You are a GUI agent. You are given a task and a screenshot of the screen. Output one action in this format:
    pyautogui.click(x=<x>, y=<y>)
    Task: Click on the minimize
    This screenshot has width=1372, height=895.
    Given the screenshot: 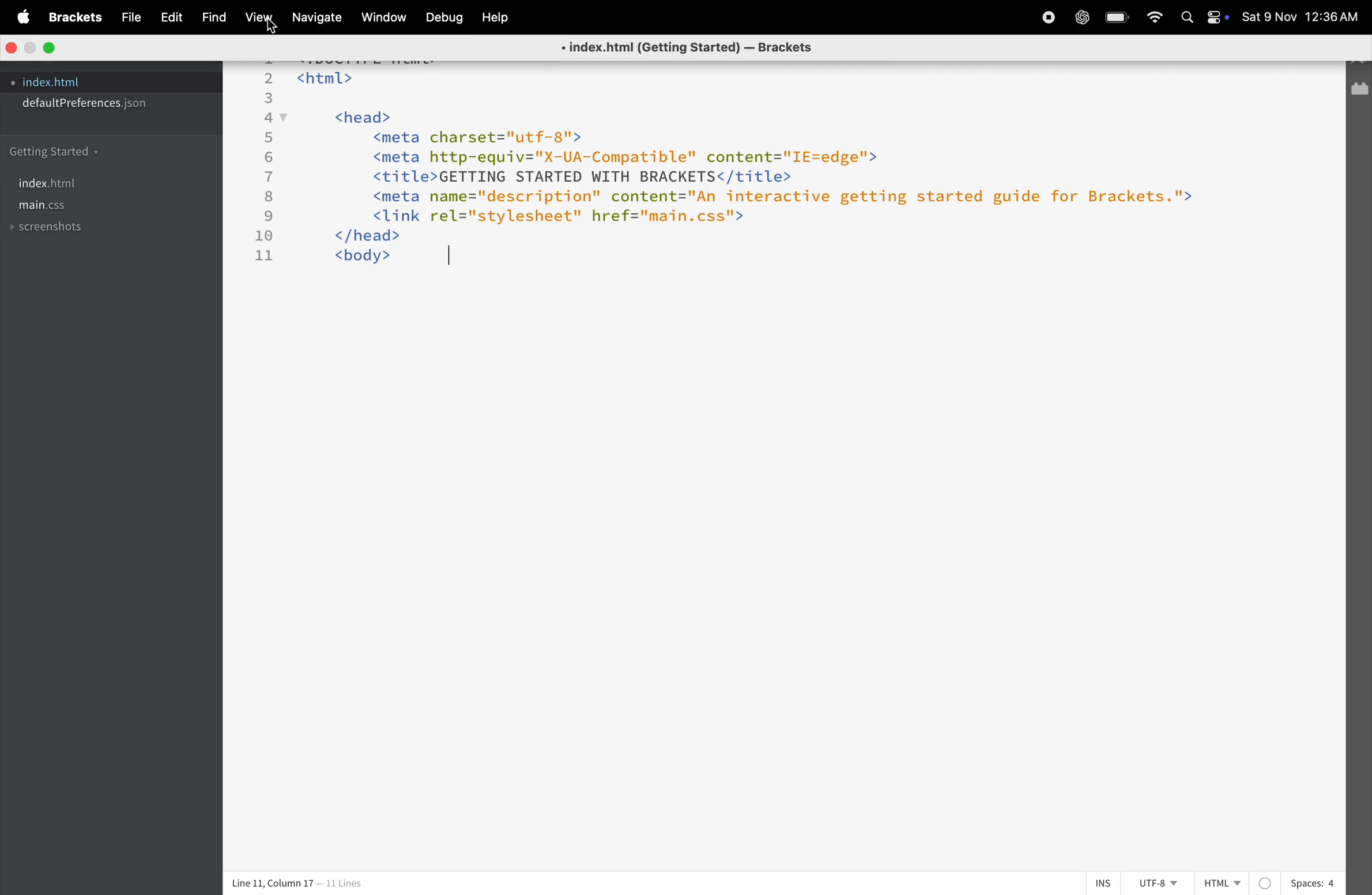 What is the action you would take?
    pyautogui.click(x=31, y=48)
    